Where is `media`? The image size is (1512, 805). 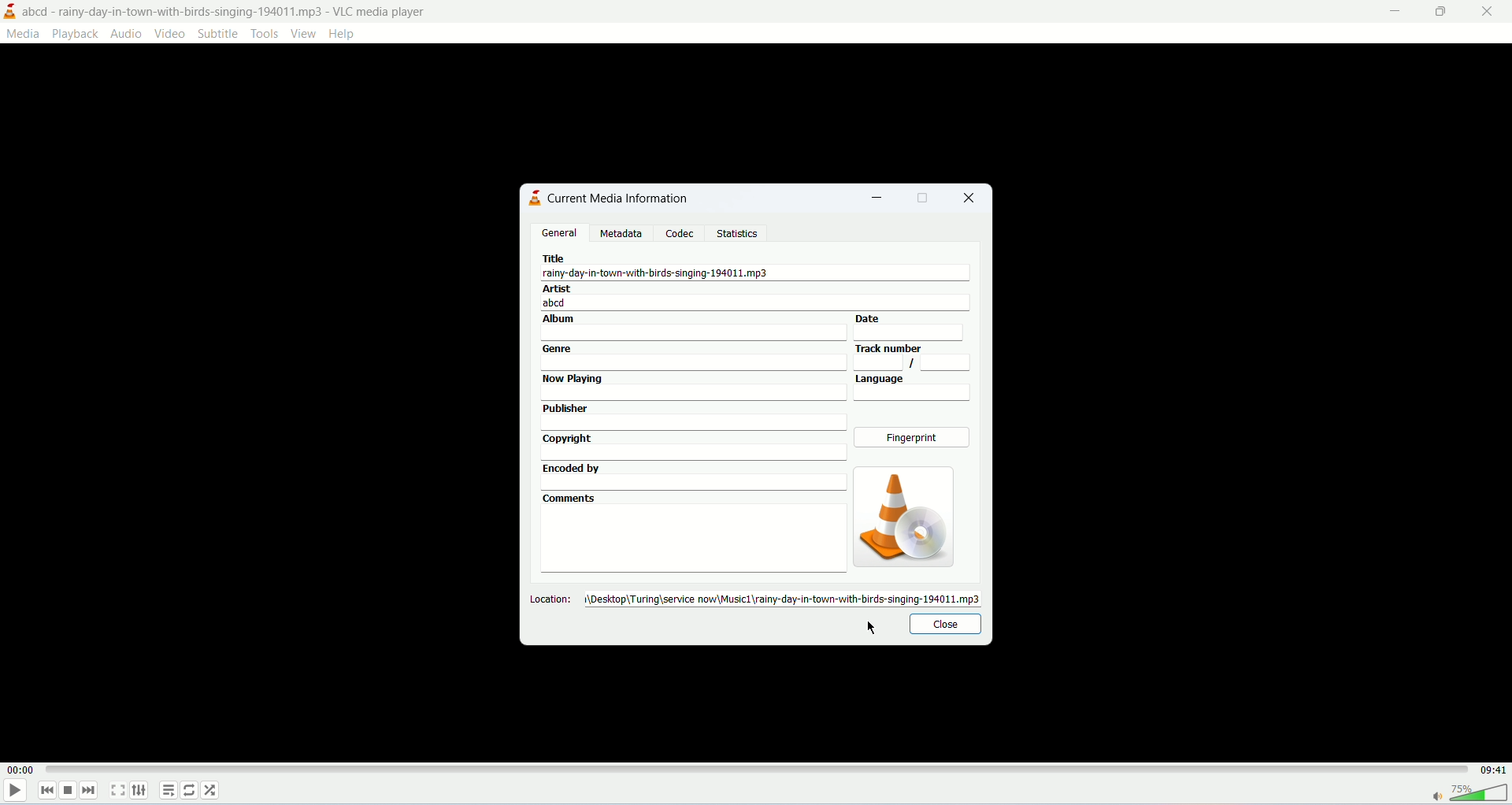
media is located at coordinates (26, 35).